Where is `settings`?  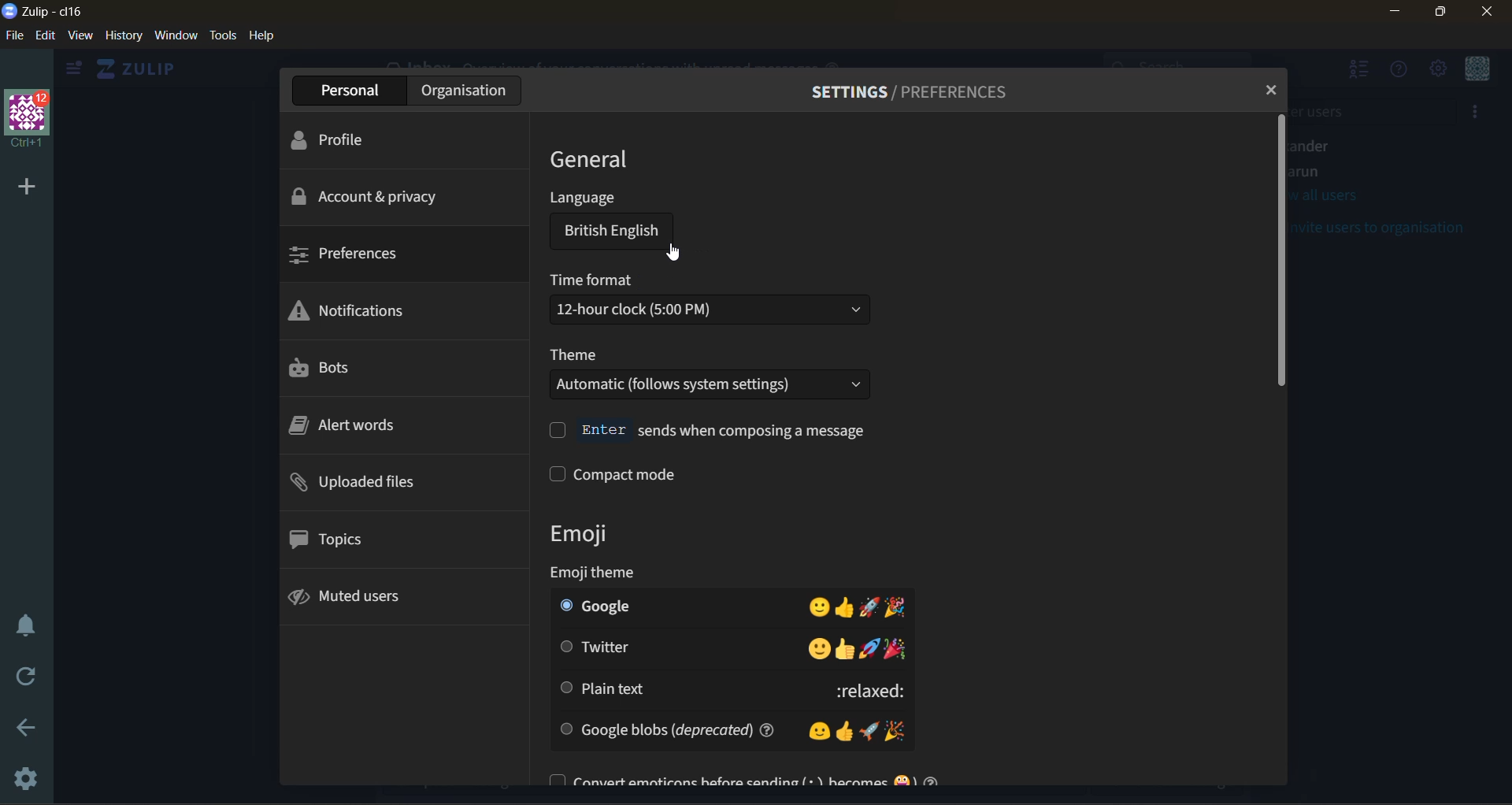 settings is located at coordinates (28, 776).